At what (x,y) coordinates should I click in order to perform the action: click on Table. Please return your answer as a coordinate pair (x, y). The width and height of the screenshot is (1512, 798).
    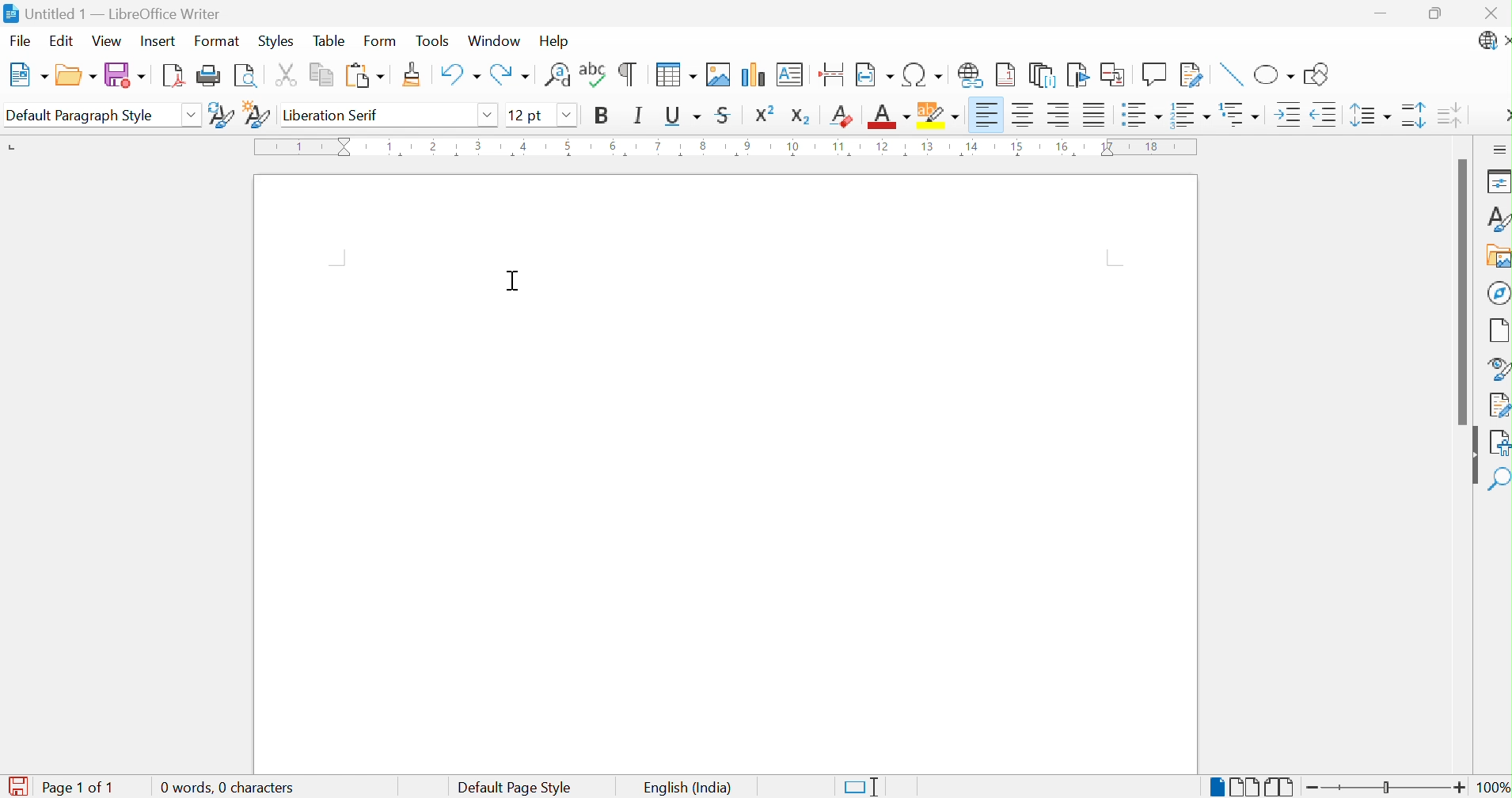
    Looking at the image, I should click on (332, 41).